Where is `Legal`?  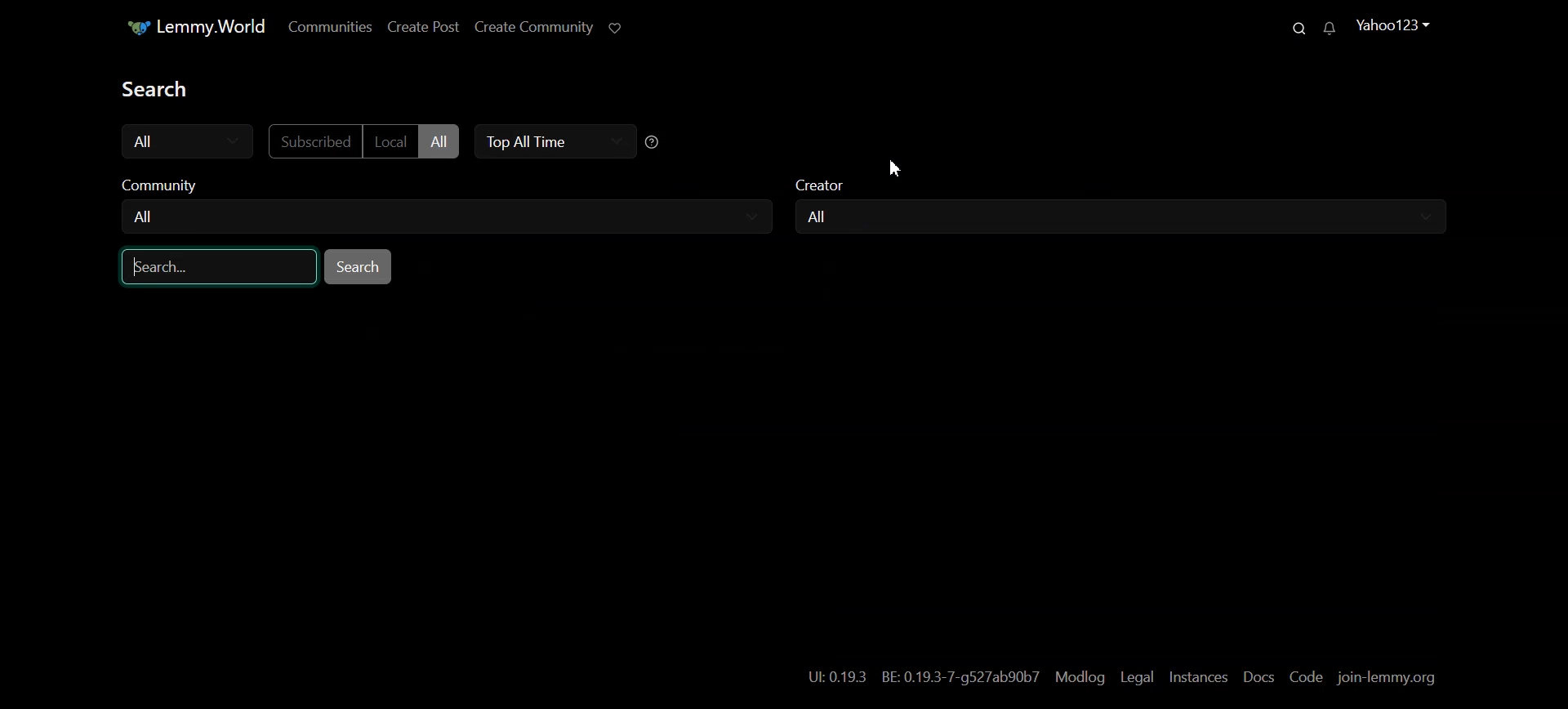 Legal is located at coordinates (1137, 678).